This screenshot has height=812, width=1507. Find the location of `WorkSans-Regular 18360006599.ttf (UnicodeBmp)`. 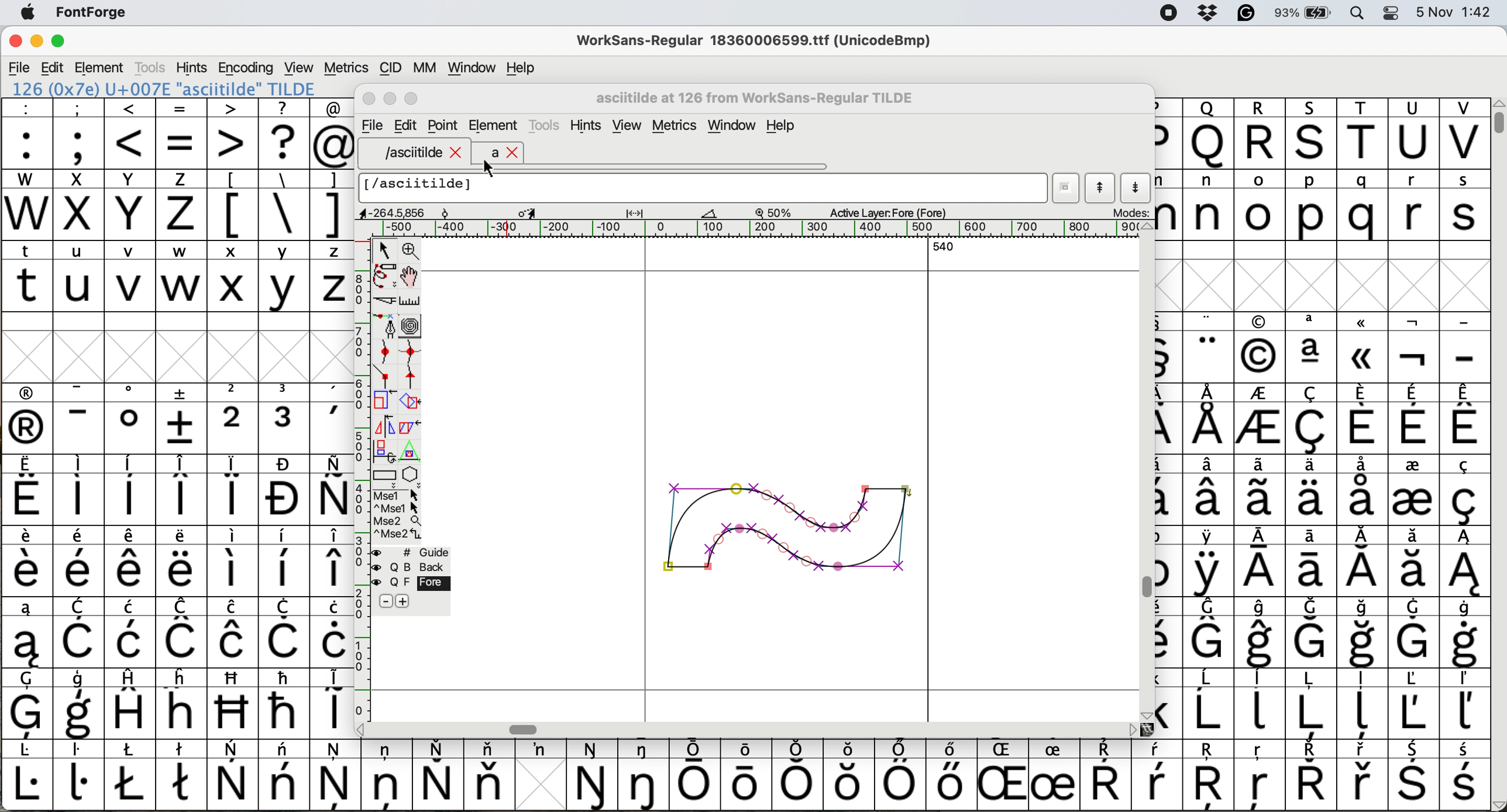

WorkSans-Regular 18360006599.ttf (UnicodeBmp) is located at coordinates (754, 43).